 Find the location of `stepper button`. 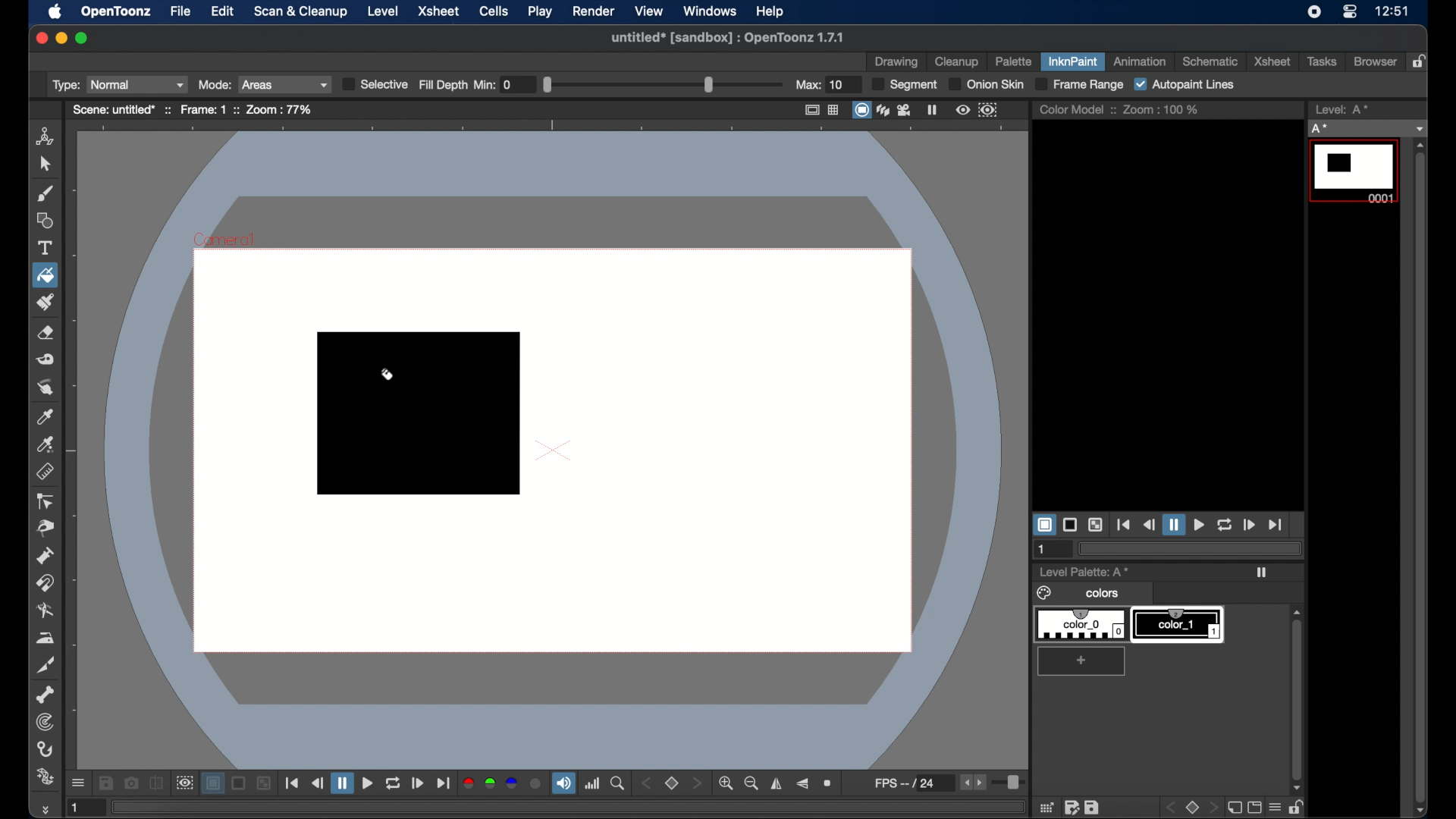

stepper button is located at coordinates (696, 783).